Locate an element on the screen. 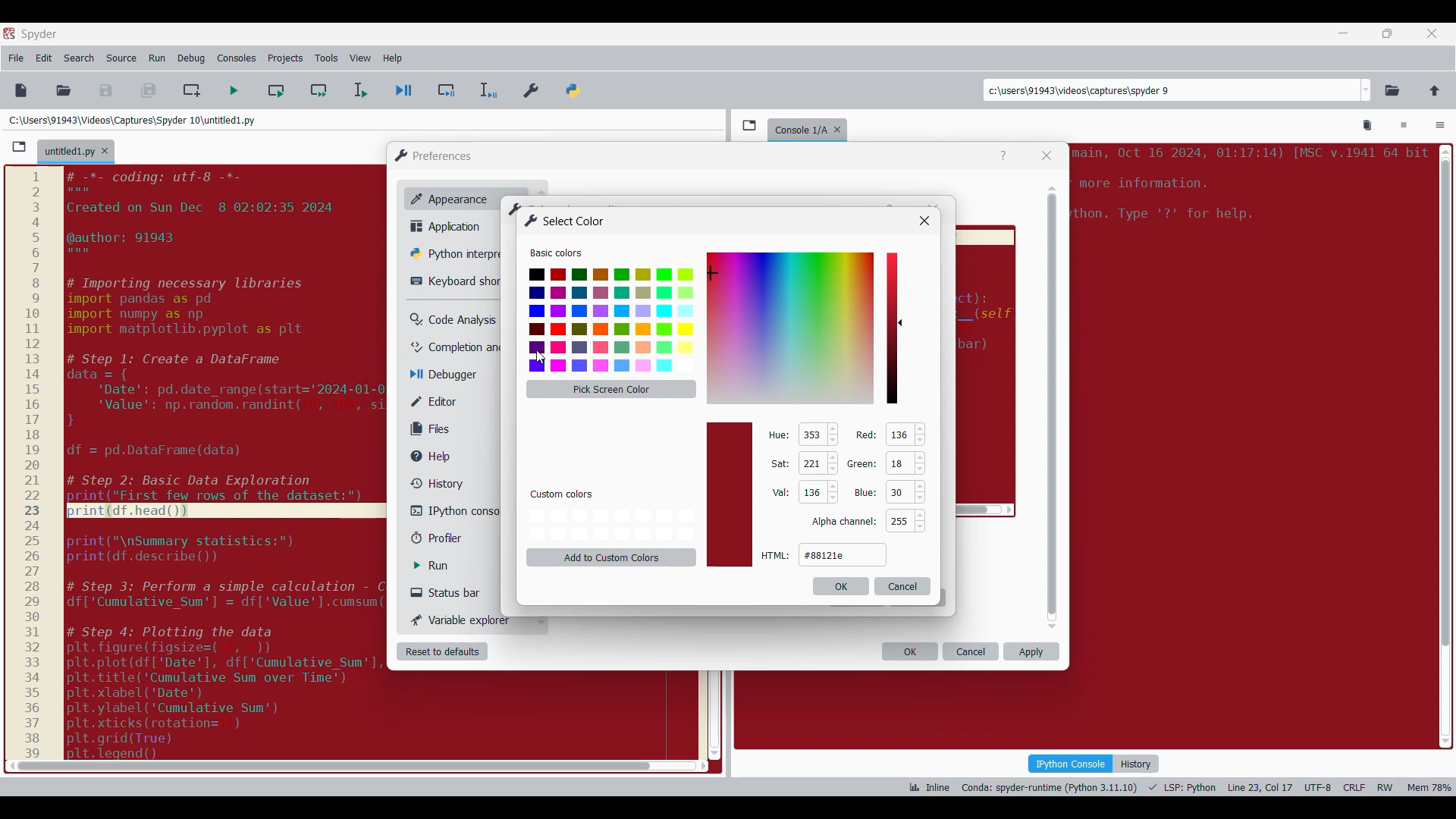  hue is located at coordinates (779, 435).